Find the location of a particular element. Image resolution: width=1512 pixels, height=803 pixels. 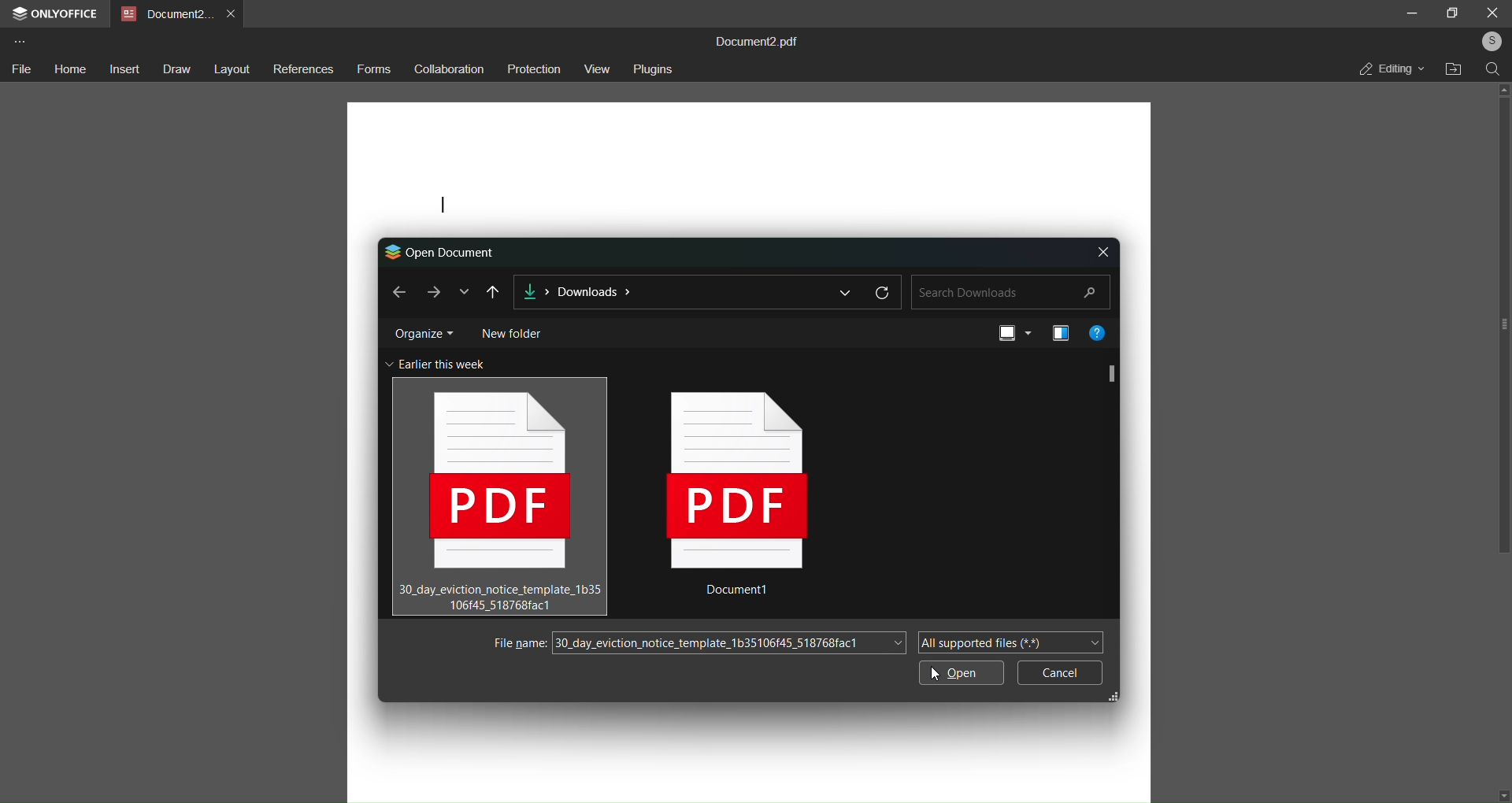

view is located at coordinates (1012, 335).